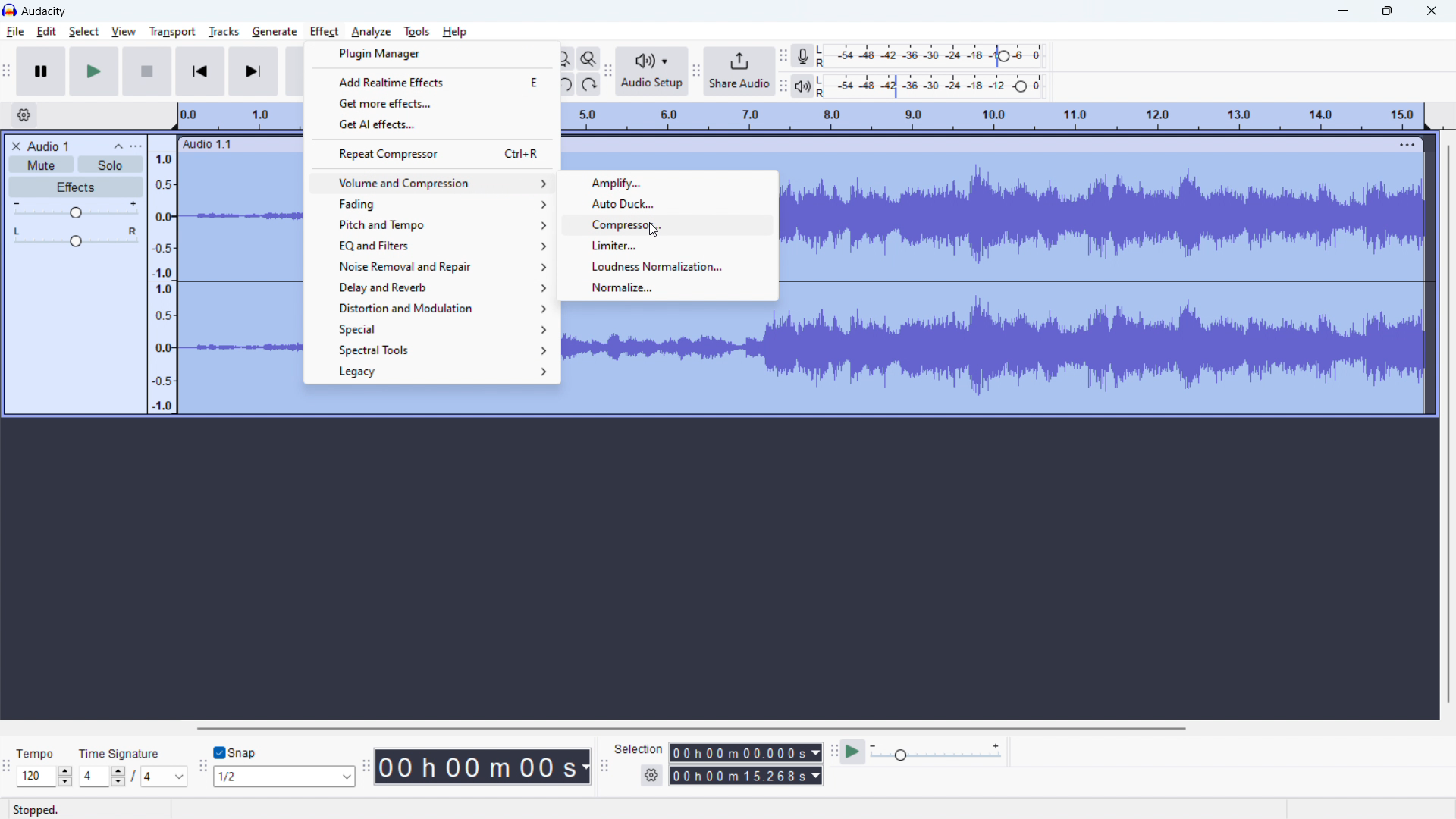  Describe the element at coordinates (172, 32) in the screenshot. I see `transport` at that location.